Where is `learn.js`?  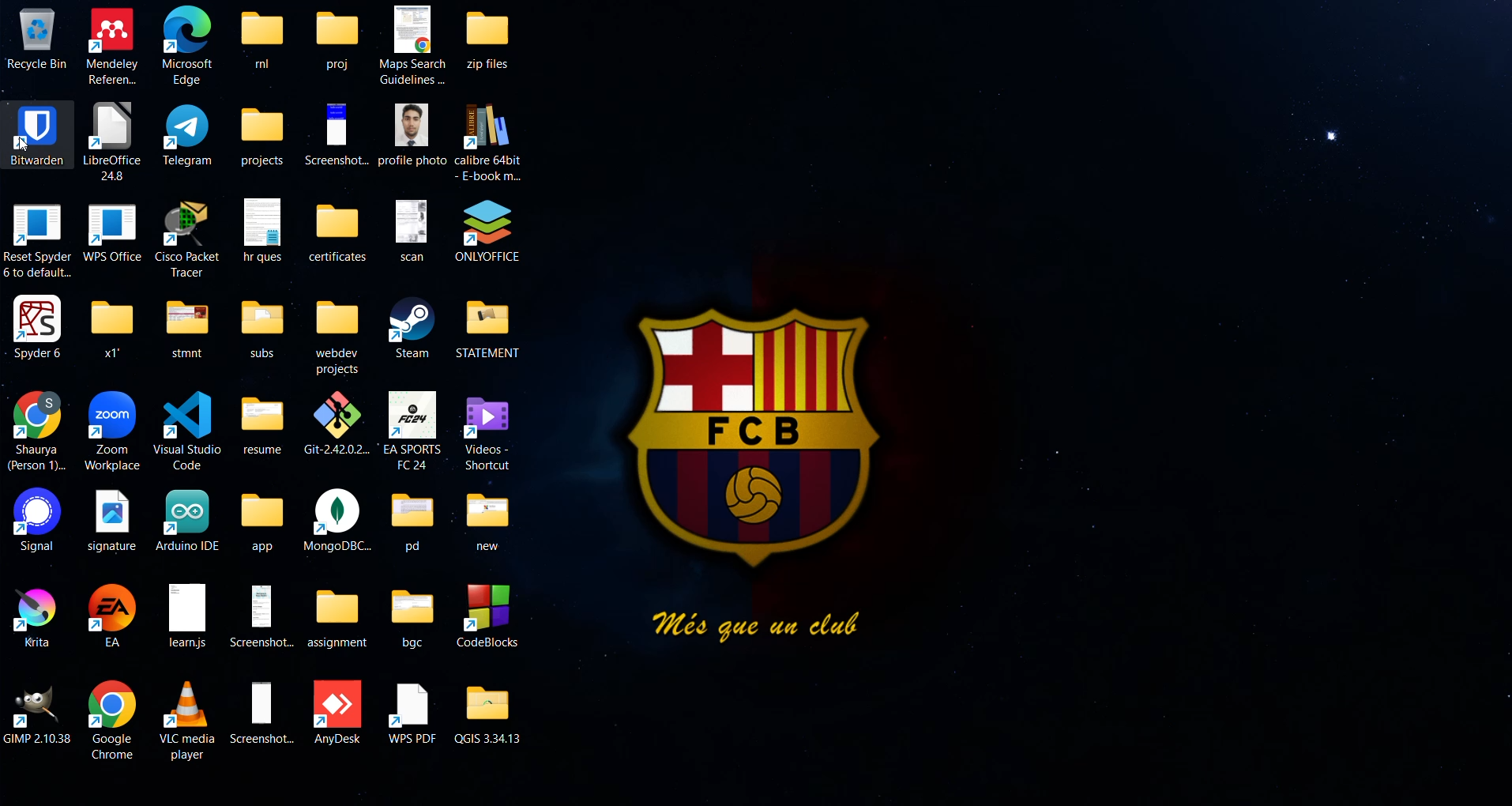 learn.js is located at coordinates (186, 617).